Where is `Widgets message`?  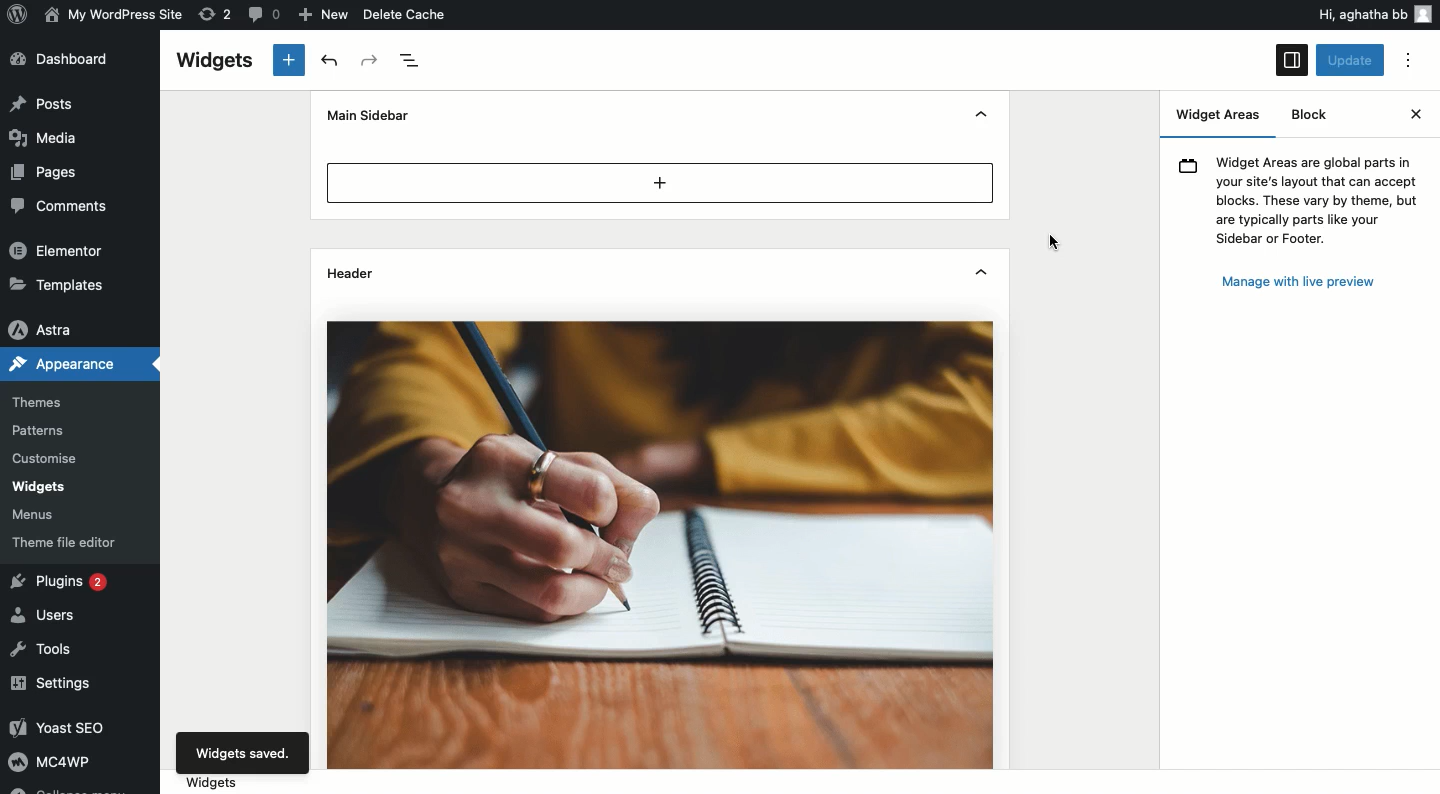 Widgets message is located at coordinates (1297, 204).